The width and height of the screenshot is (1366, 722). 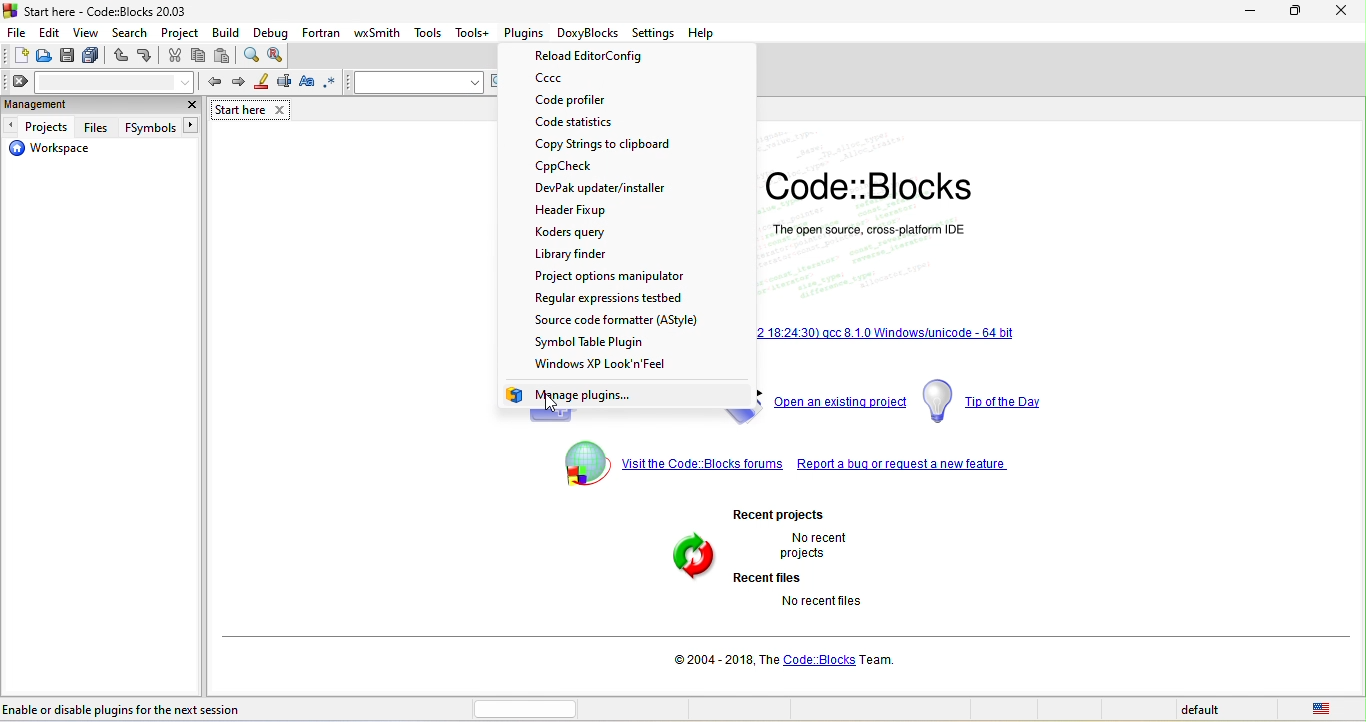 What do you see at coordinates (585, 210) in the screenshot?
I see `header fixup` at bounding box center [585, 210].